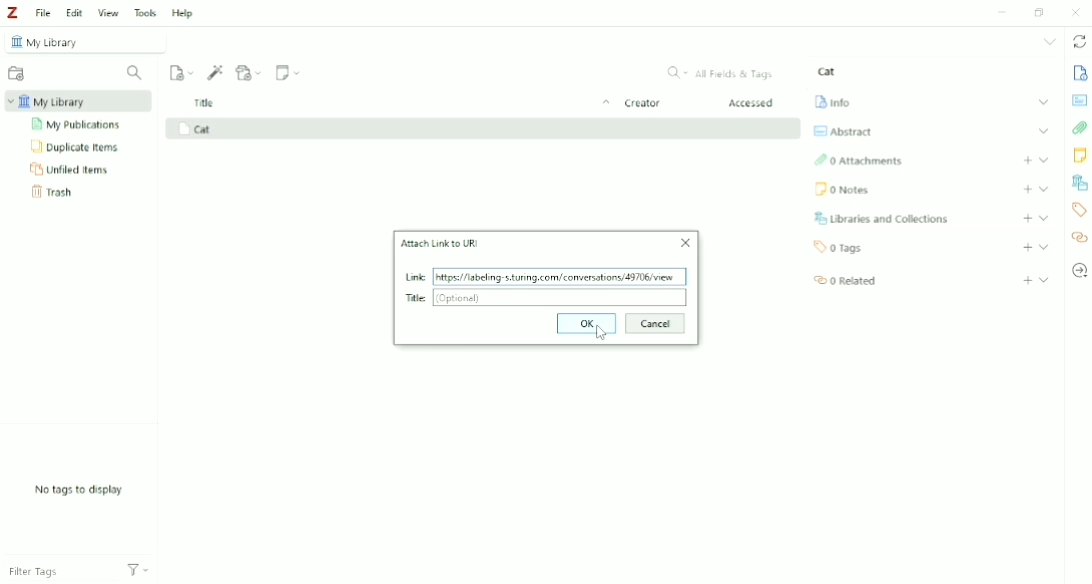  What do you see at coordinates (1027, 218) in the screenshot?
I see `Add` at bounding box center [1027, 218].